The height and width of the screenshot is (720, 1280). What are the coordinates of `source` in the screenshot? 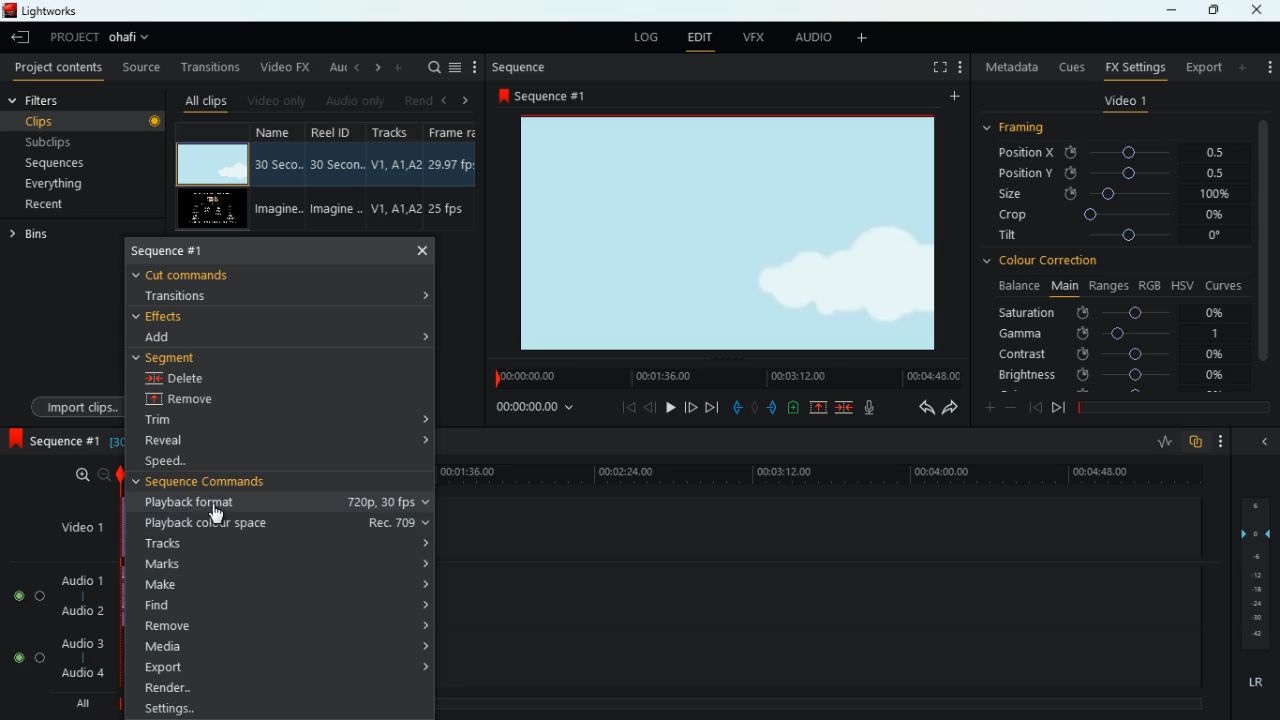 It's located at (139, 68).